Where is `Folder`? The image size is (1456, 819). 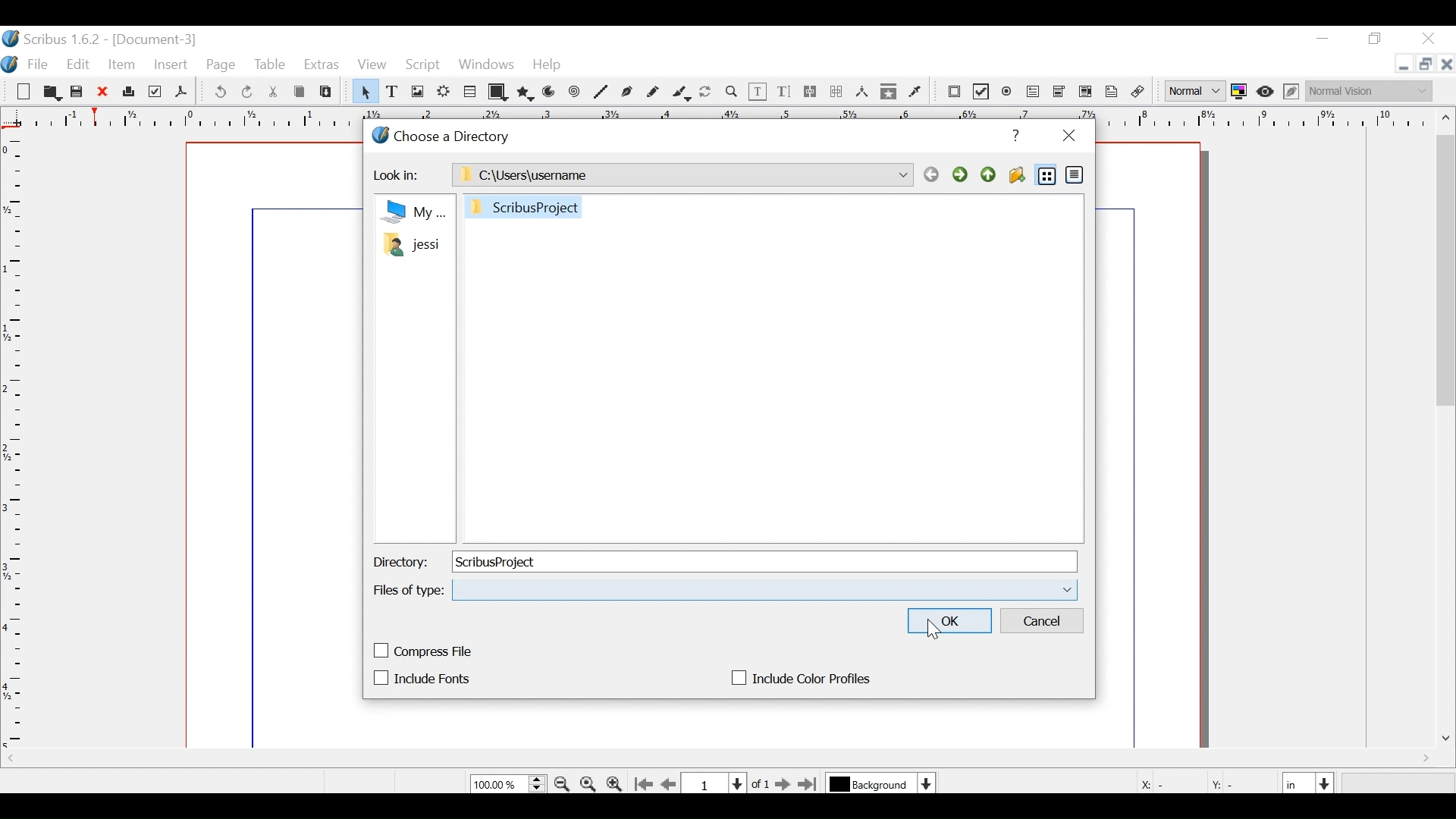 Folder is located at coordinates (526, 206).